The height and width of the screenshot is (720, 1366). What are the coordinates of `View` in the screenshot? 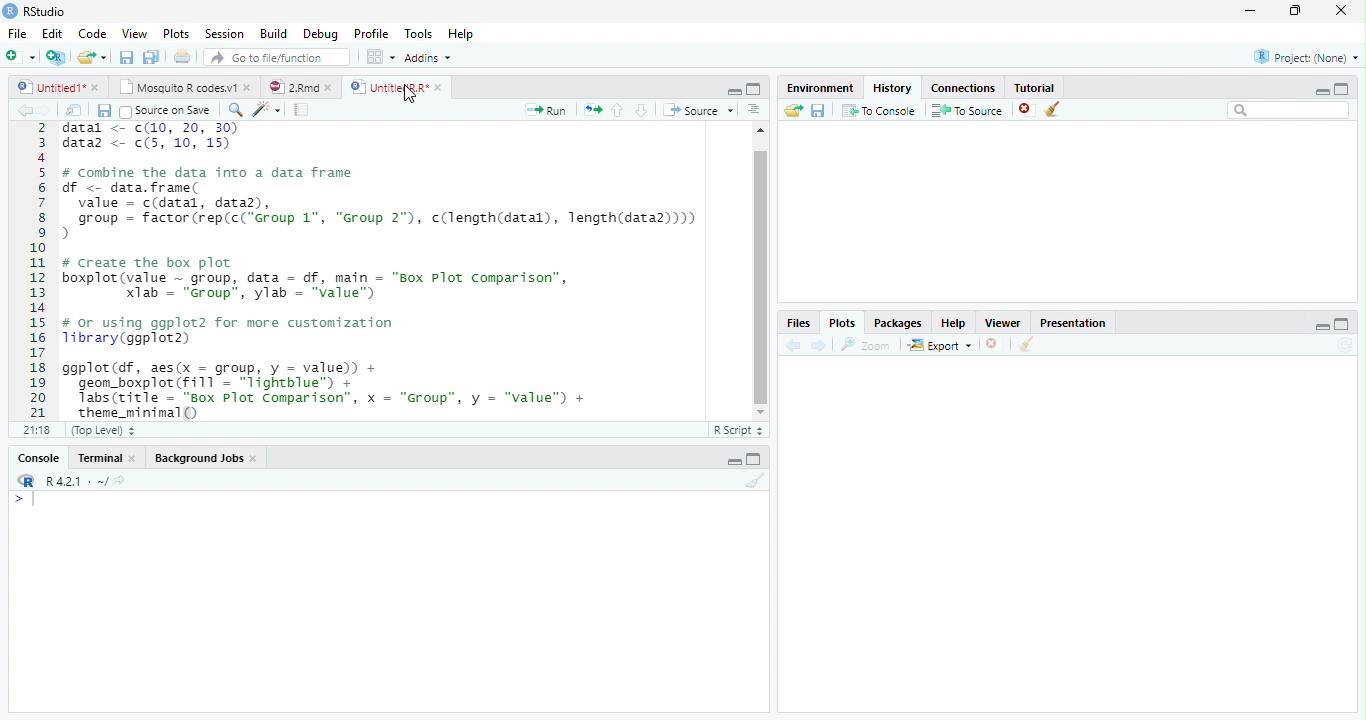 It's located at (134, 32).